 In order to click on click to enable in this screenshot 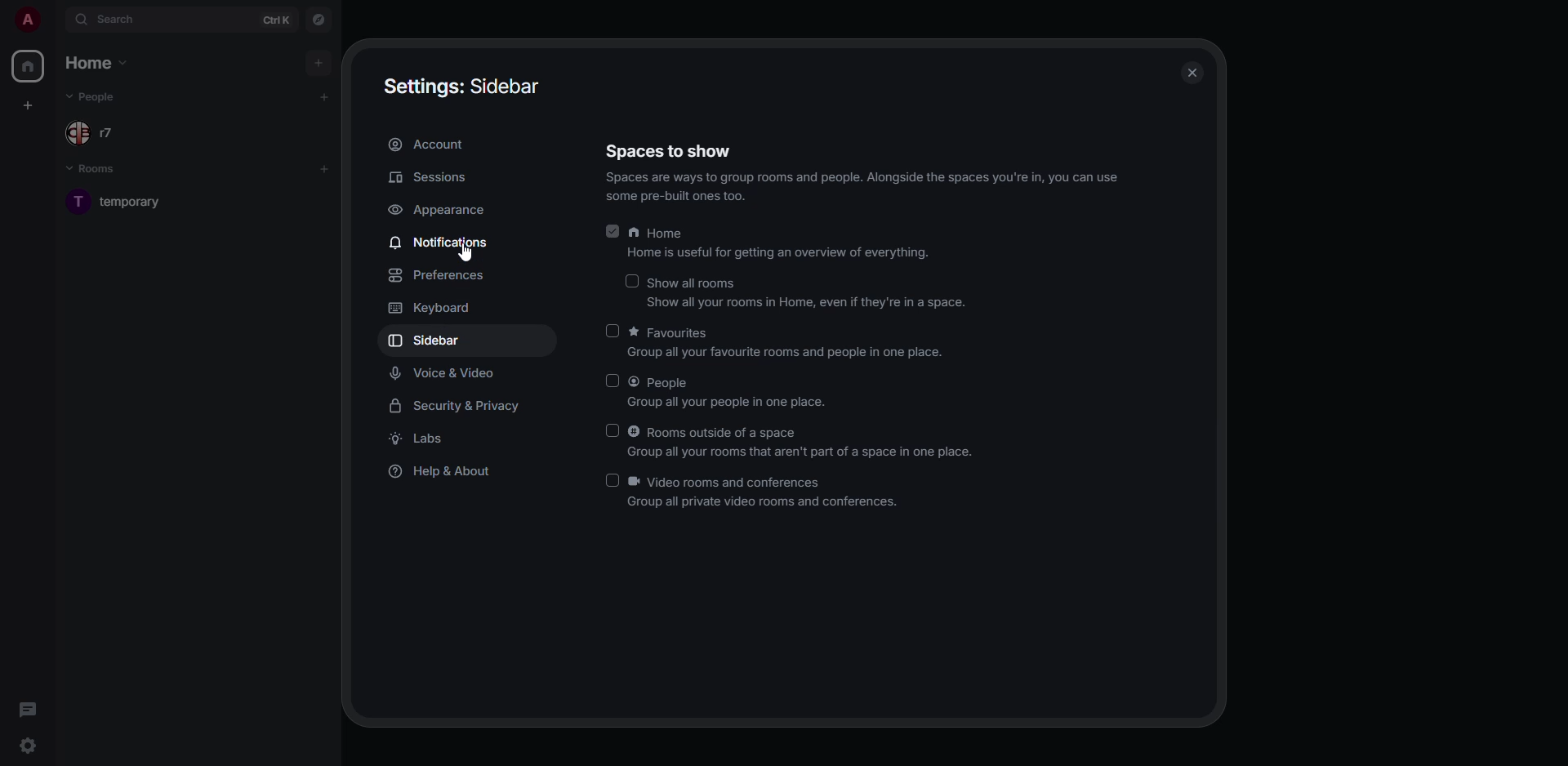, I will do `click(612, 480)`.